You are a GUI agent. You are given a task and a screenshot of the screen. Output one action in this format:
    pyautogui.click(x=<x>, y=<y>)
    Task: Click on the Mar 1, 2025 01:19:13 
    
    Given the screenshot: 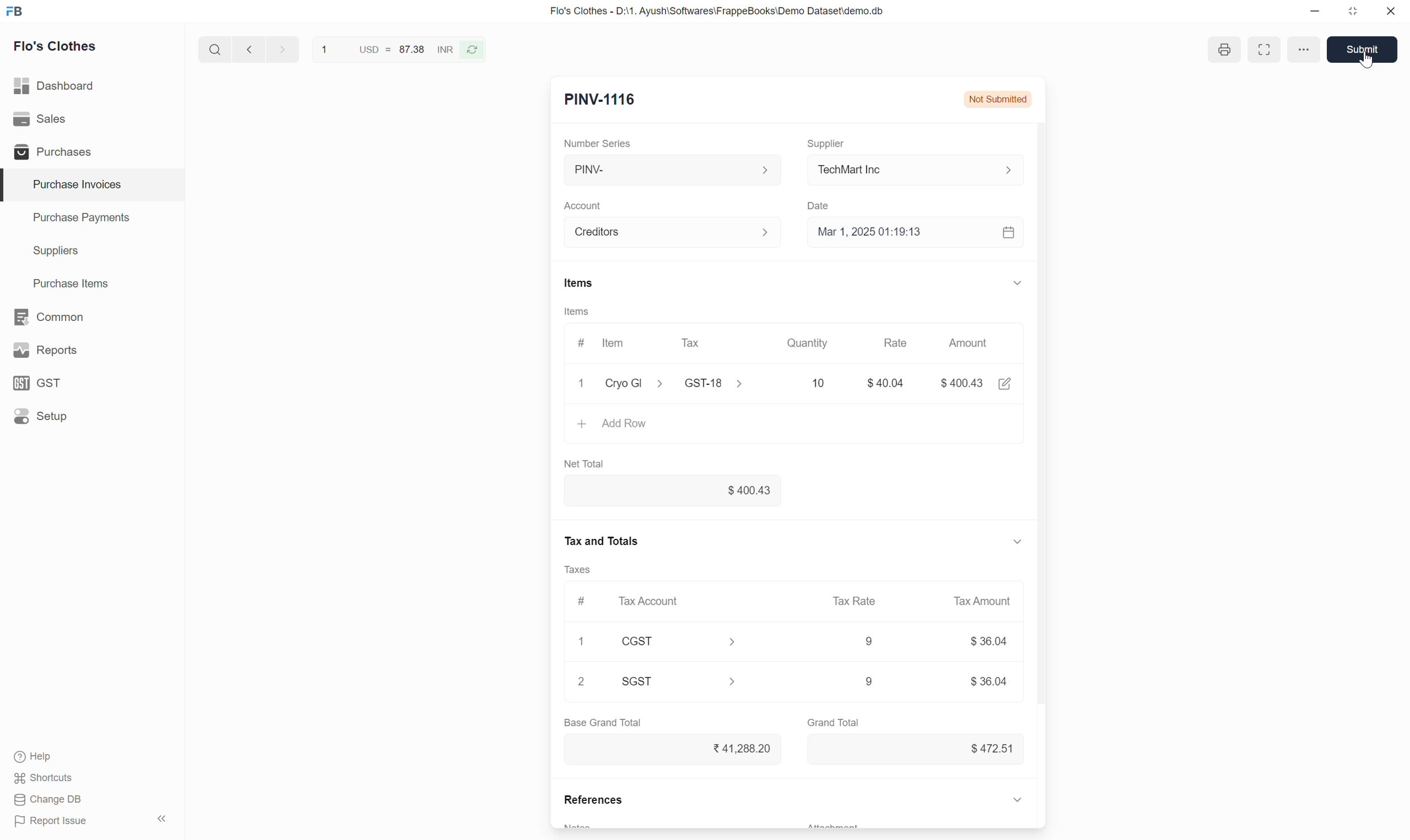 What is the action you would take?
    pyautogui.click(x=918, y=233)
    